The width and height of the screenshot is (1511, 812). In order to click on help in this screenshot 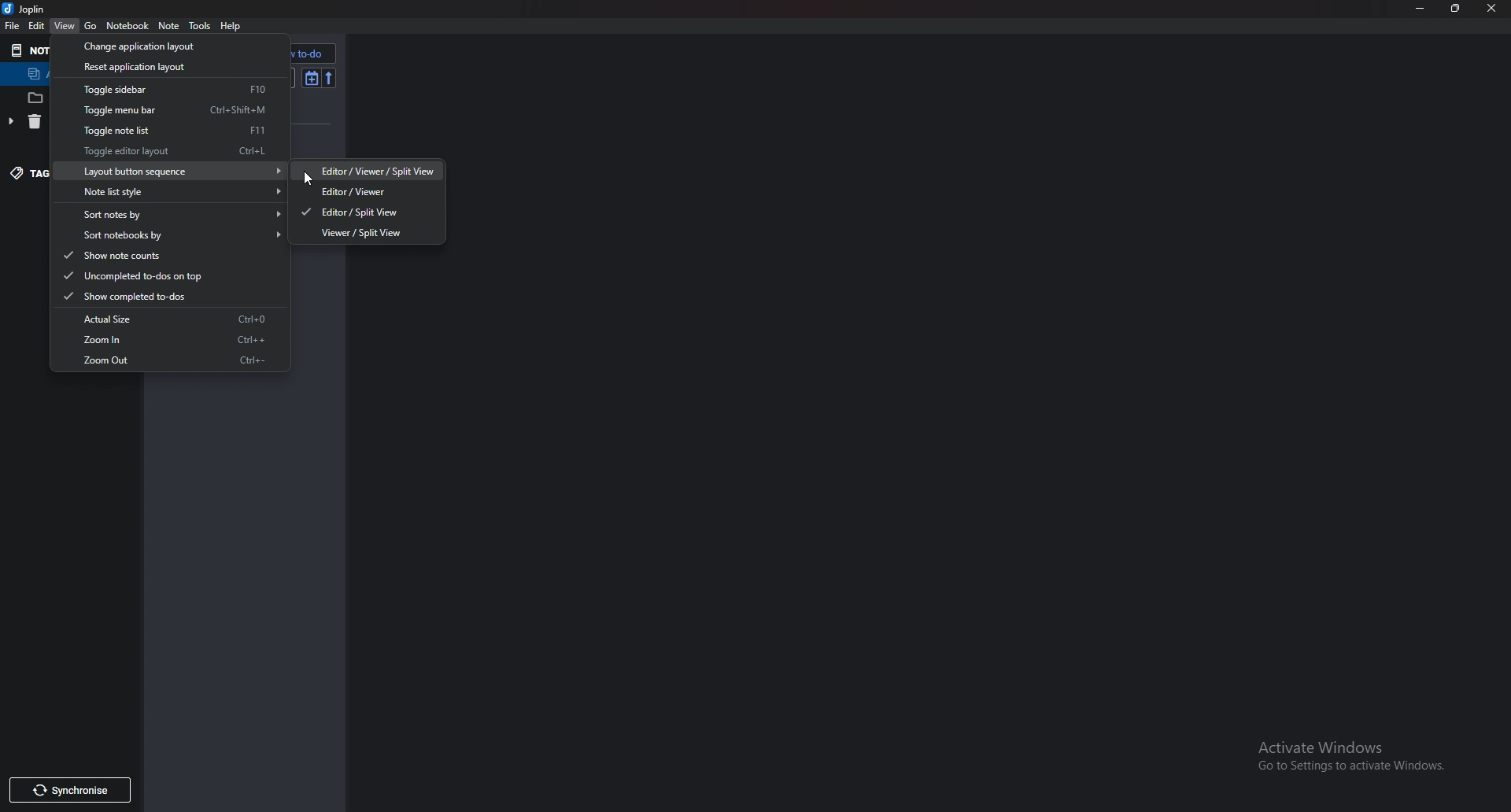, I will do `click(231, 28)`.